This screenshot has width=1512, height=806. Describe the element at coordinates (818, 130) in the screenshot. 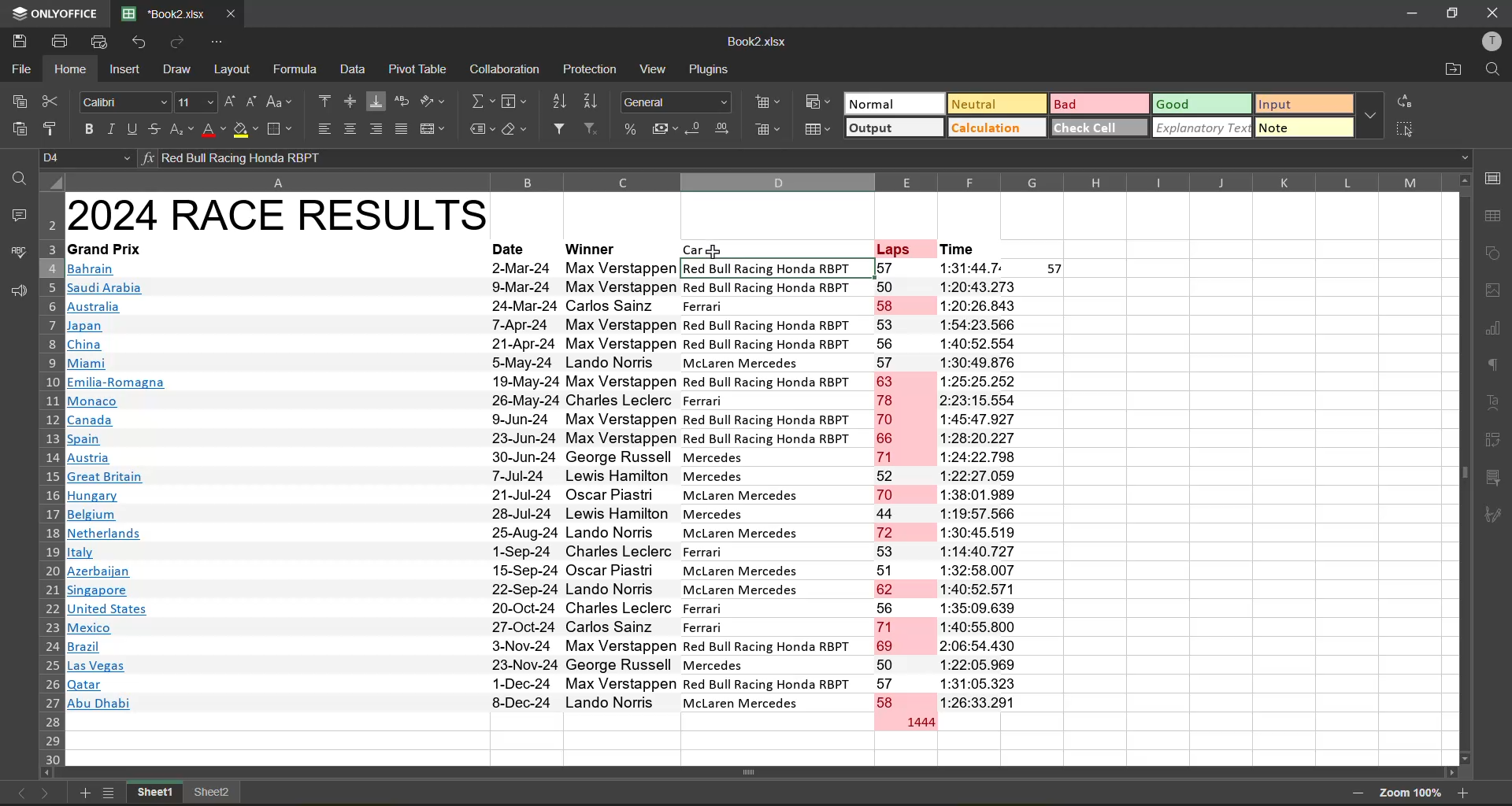

I see `format as table` at that location.